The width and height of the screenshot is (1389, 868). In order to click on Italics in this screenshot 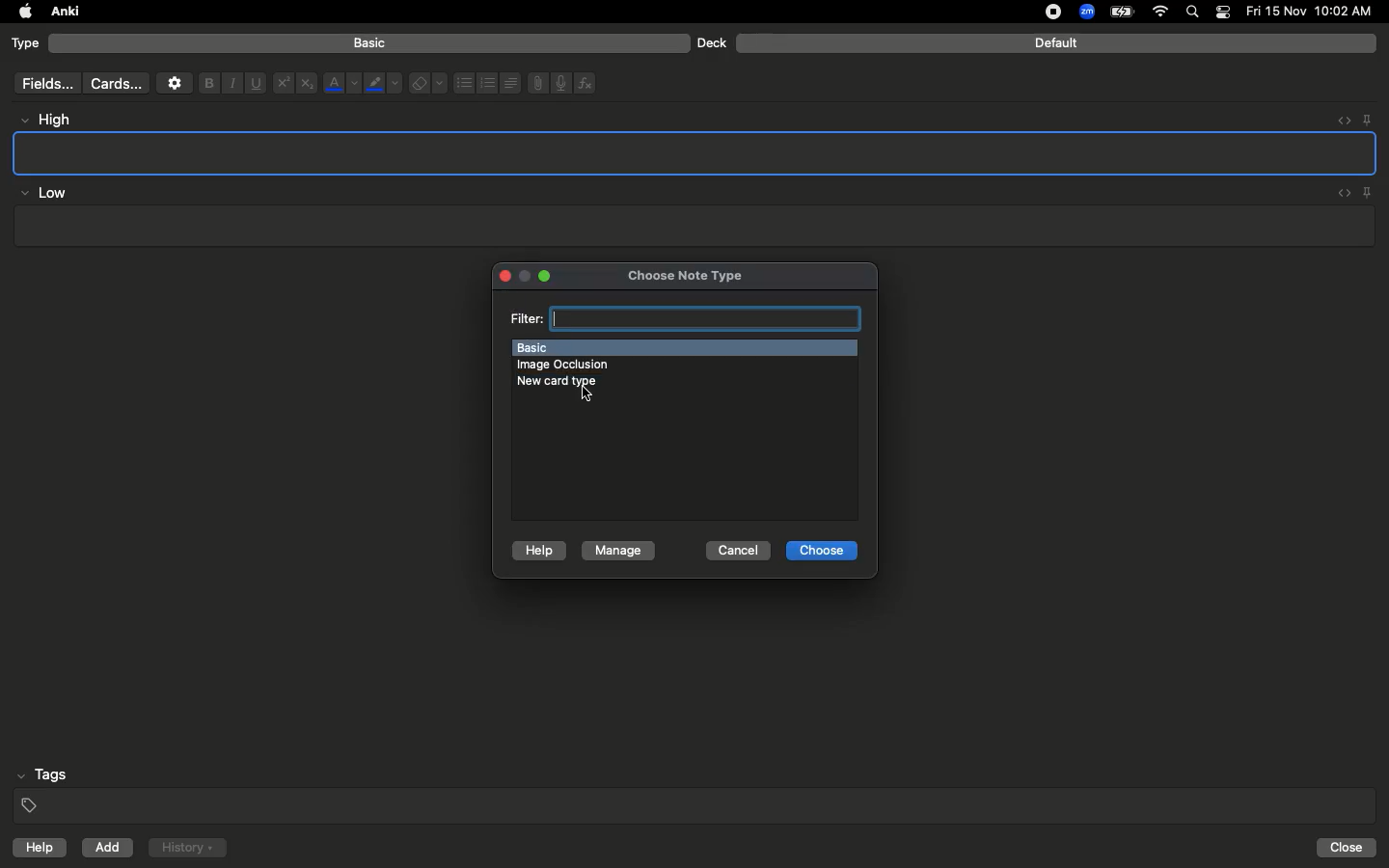, I will do `click(230, 84)`.